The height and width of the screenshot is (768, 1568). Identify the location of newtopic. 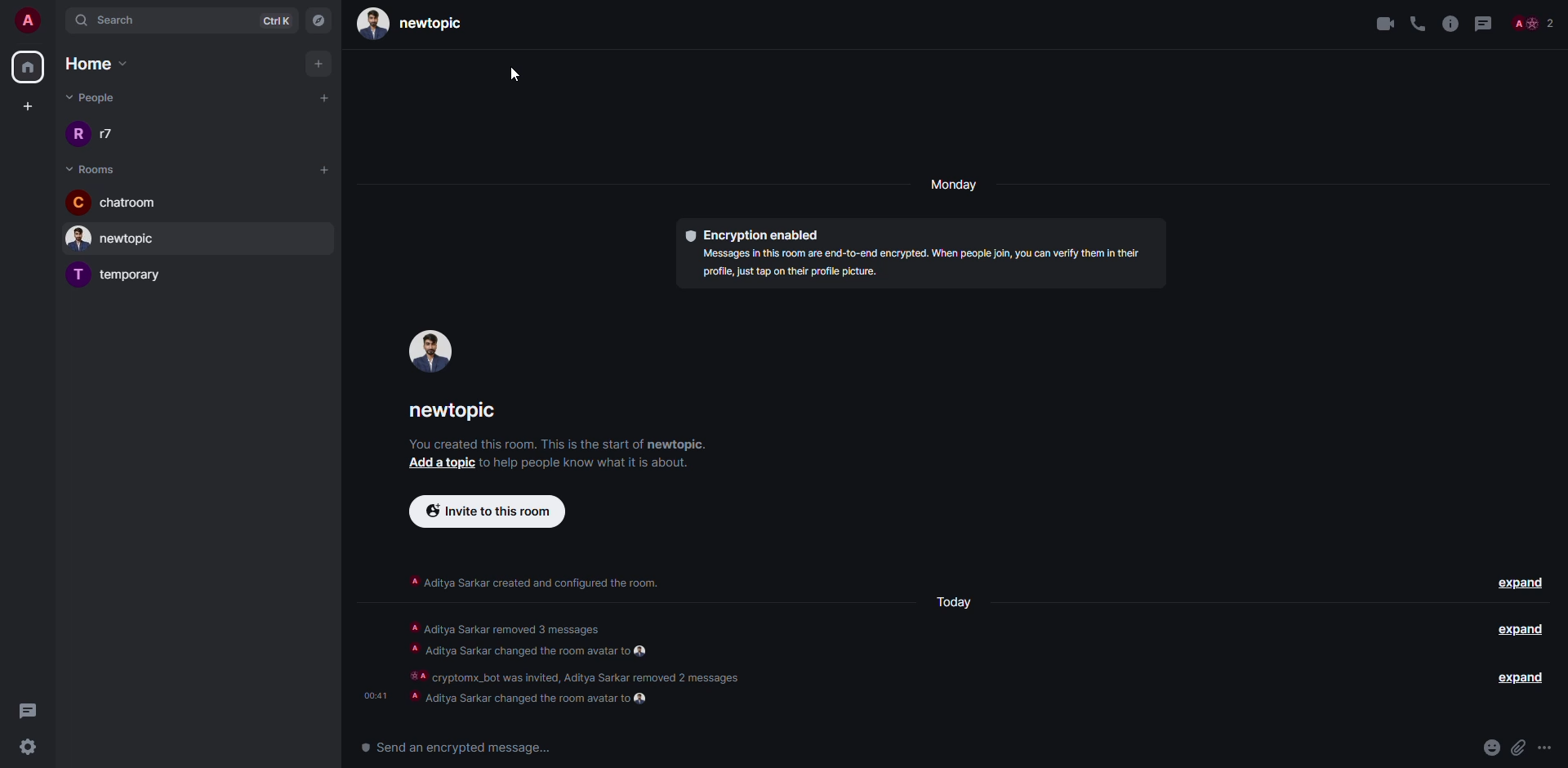
(408, 23).